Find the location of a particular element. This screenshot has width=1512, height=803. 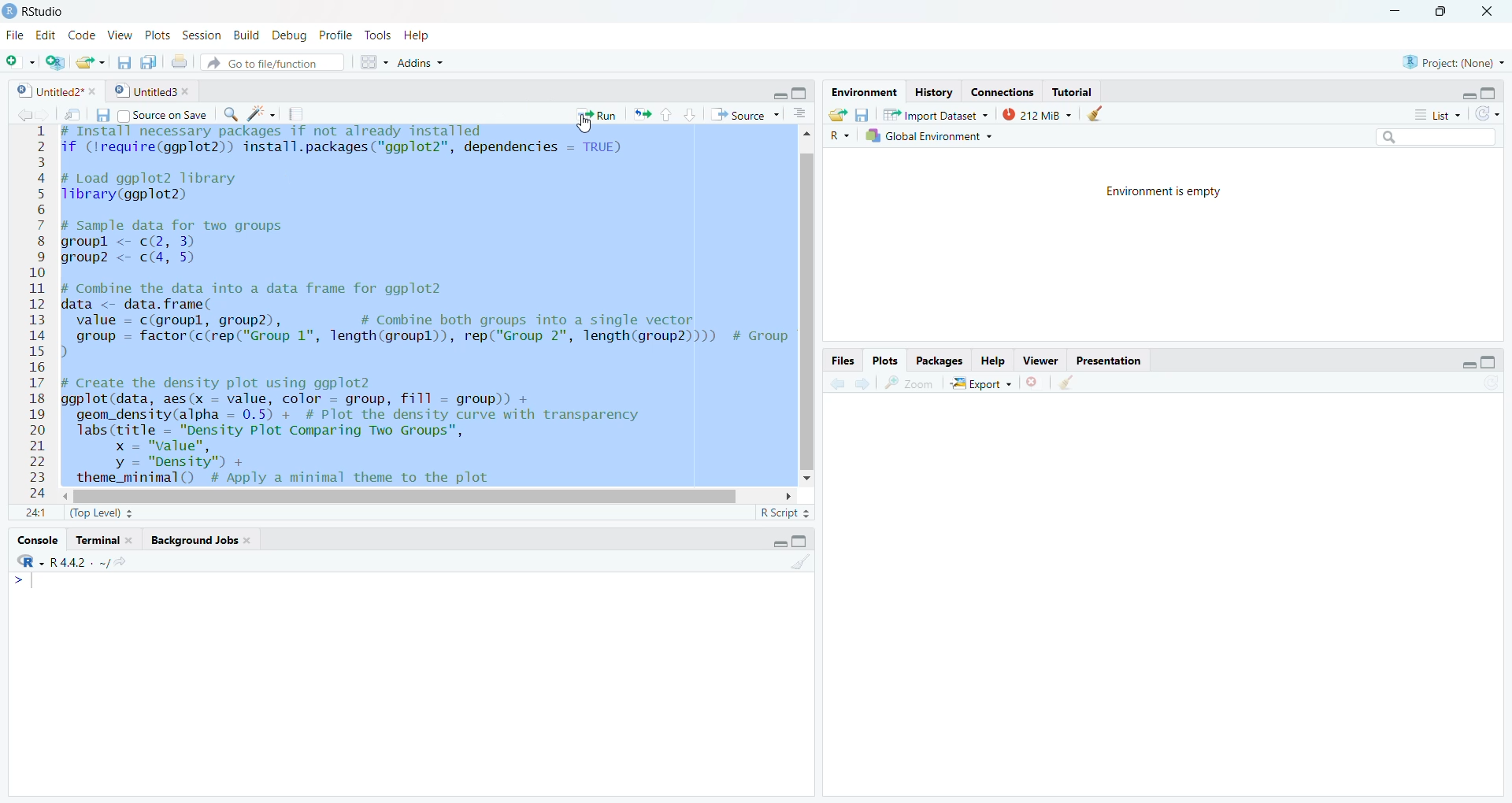

tools is located at coordinates (377, 36).